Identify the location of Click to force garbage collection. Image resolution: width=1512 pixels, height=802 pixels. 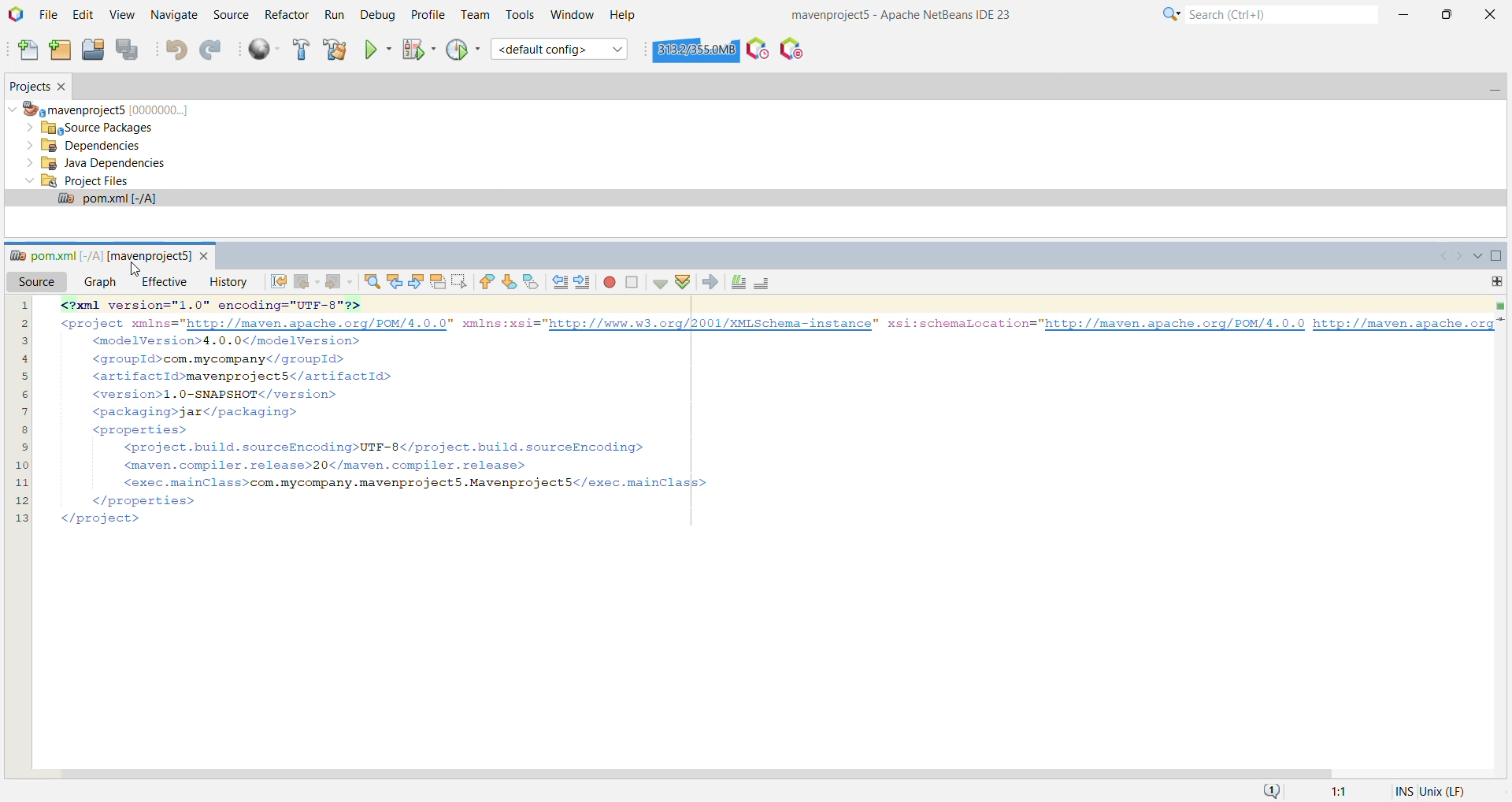
(696, 49).